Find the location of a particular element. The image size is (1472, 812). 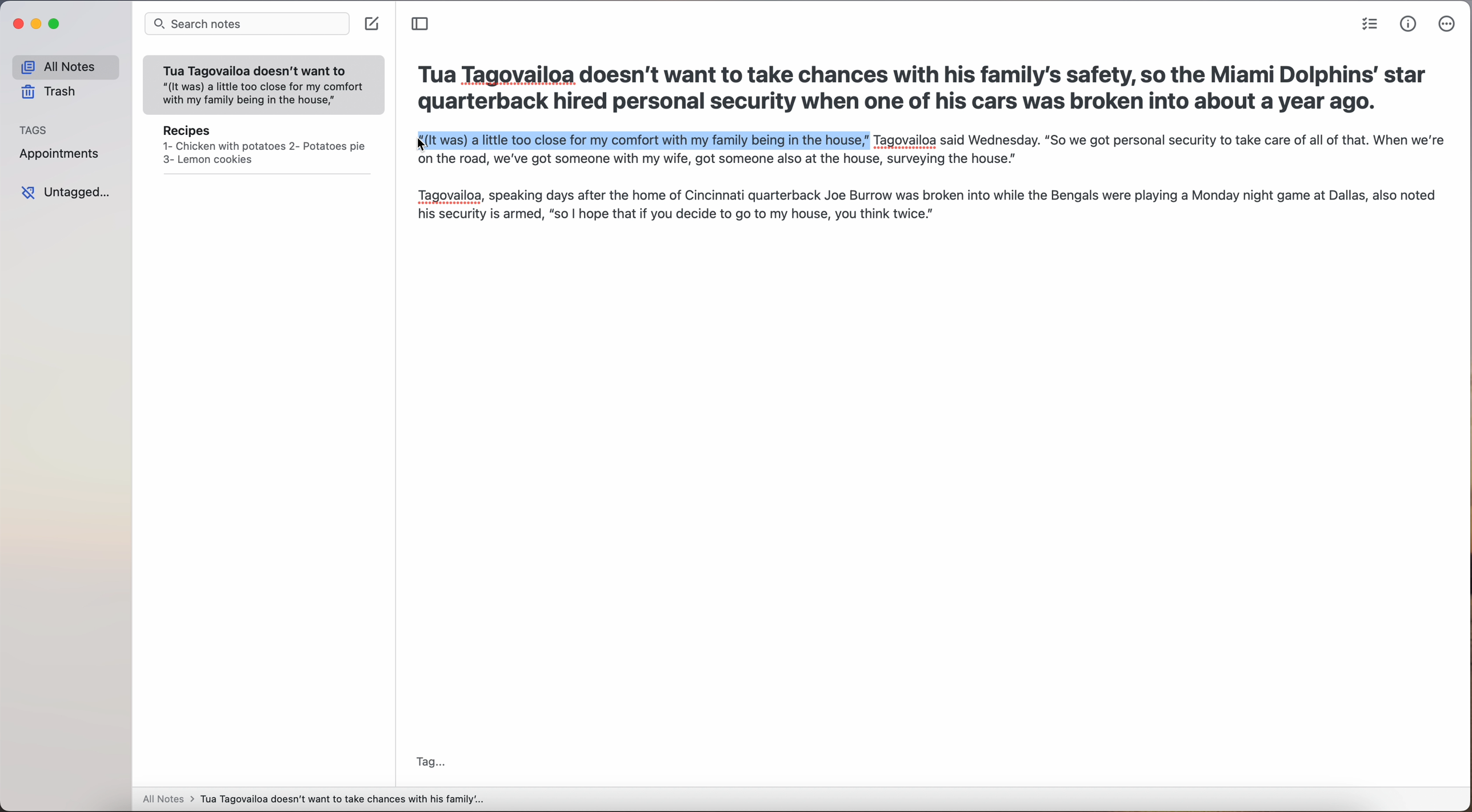

metrics is located at coordinates (1409, 25).